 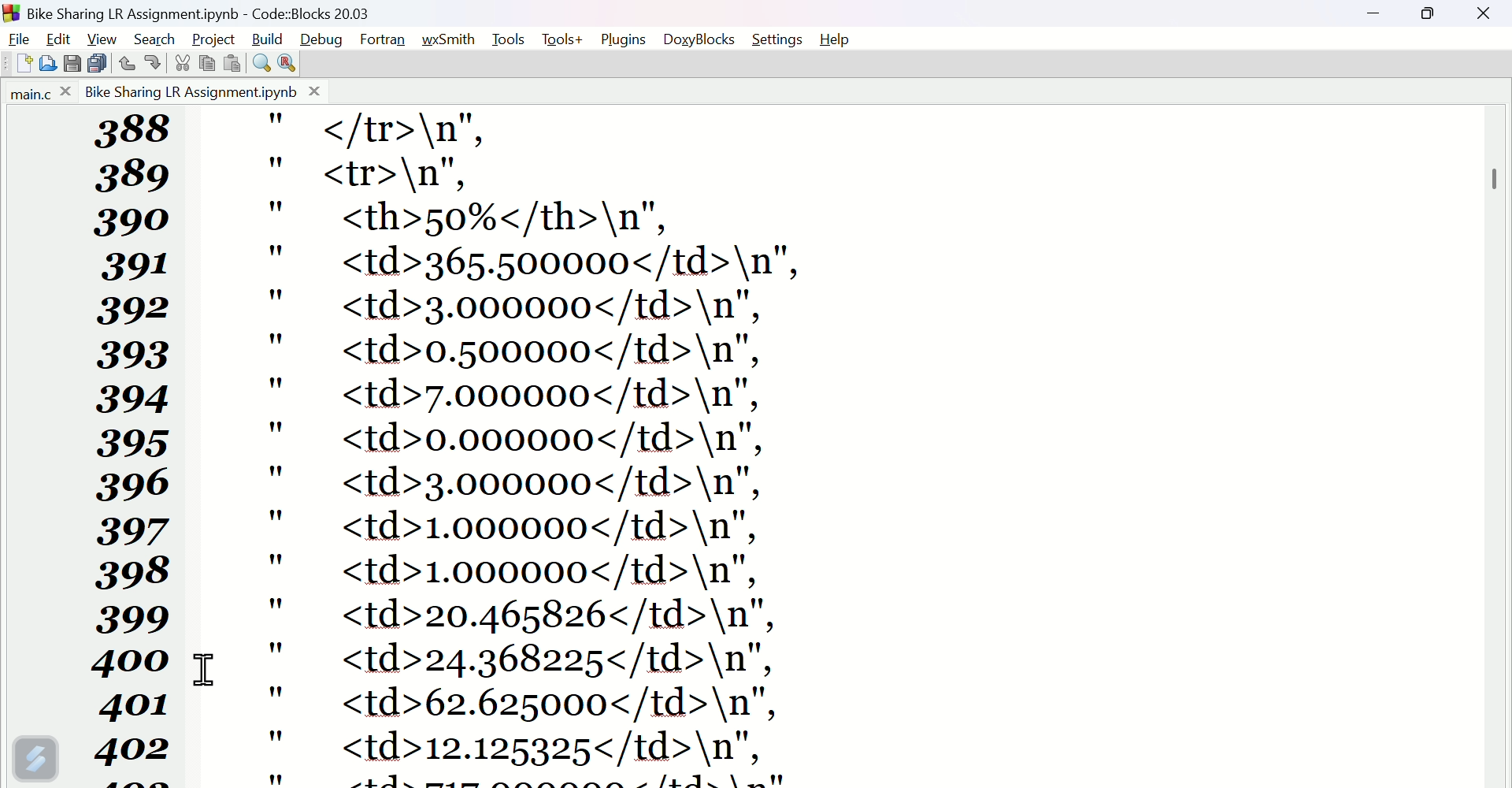 What do you see at coordinates (207, 64) in the screenshot?
I see `Copy` at bounding box center [207, 64].